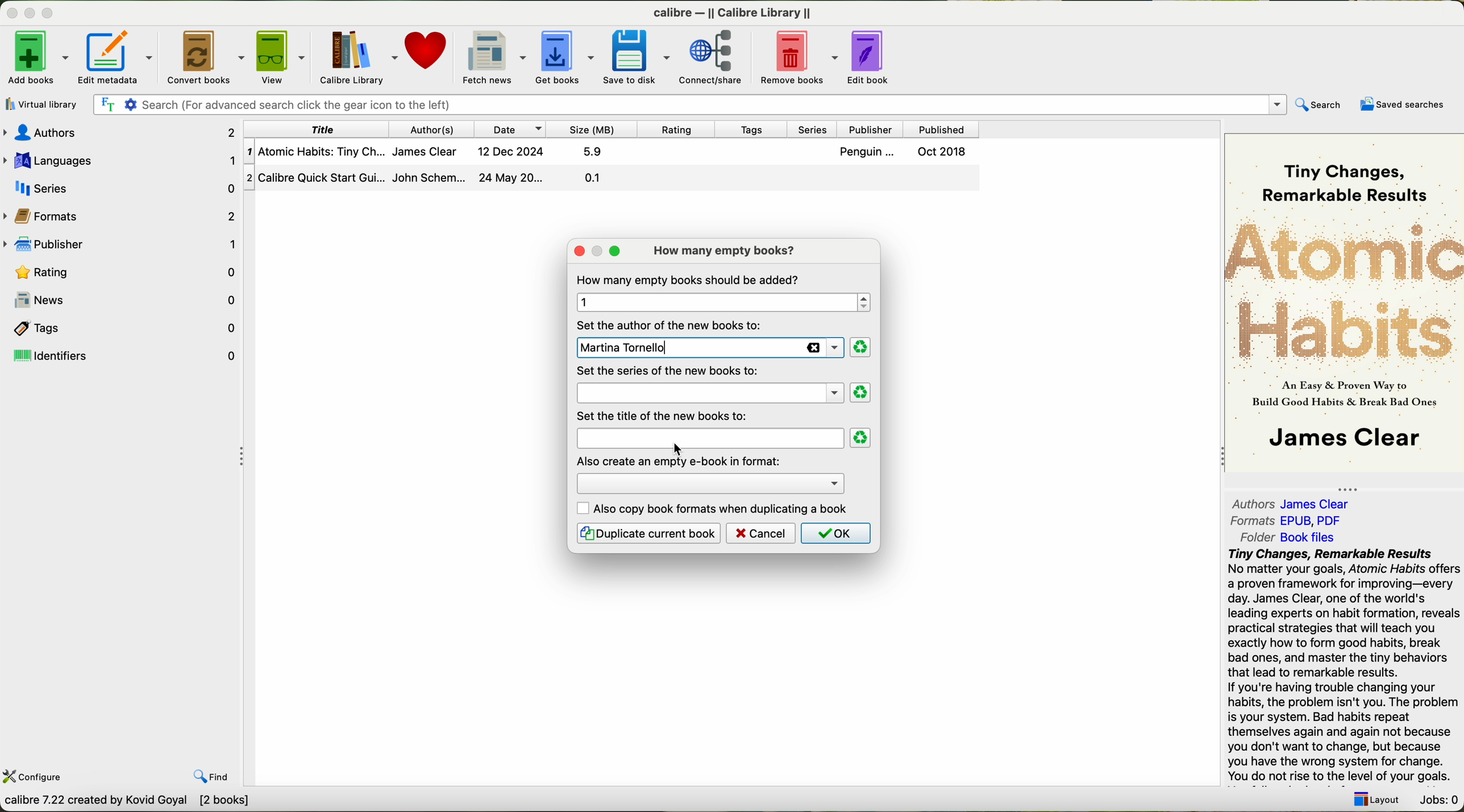 The width and height of the screenshot is (1464, 812). What do you see at coordinates (121, 242) in the screenshot?
I see `publisher` at bounding box center [121, 242].